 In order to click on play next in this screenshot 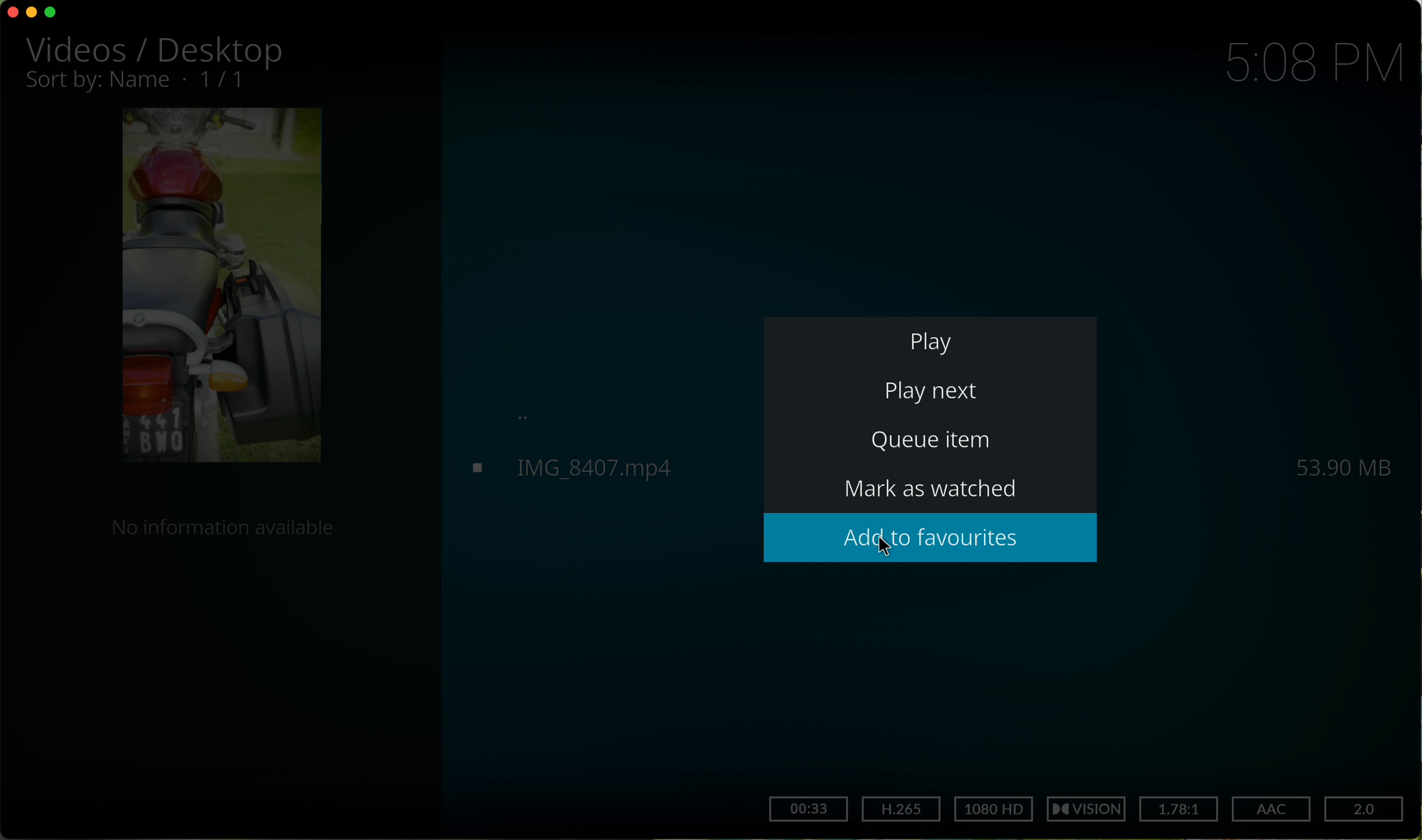, I will do `click(933, 392)`.